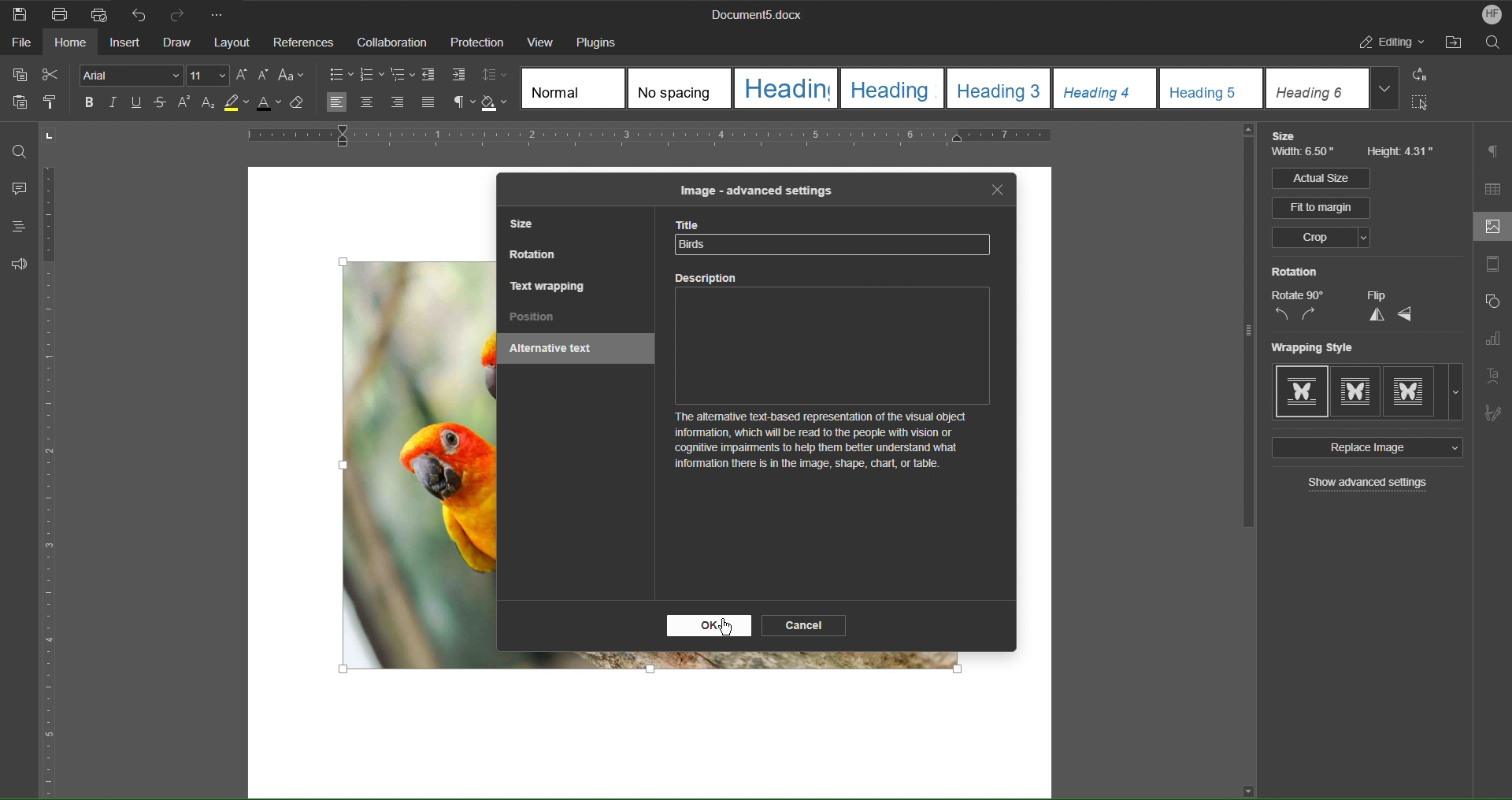 This screenshot has width=1512, height=800. Describe the element at coordinates (183, 13) in the screenshot. I see `Redo` at that location.